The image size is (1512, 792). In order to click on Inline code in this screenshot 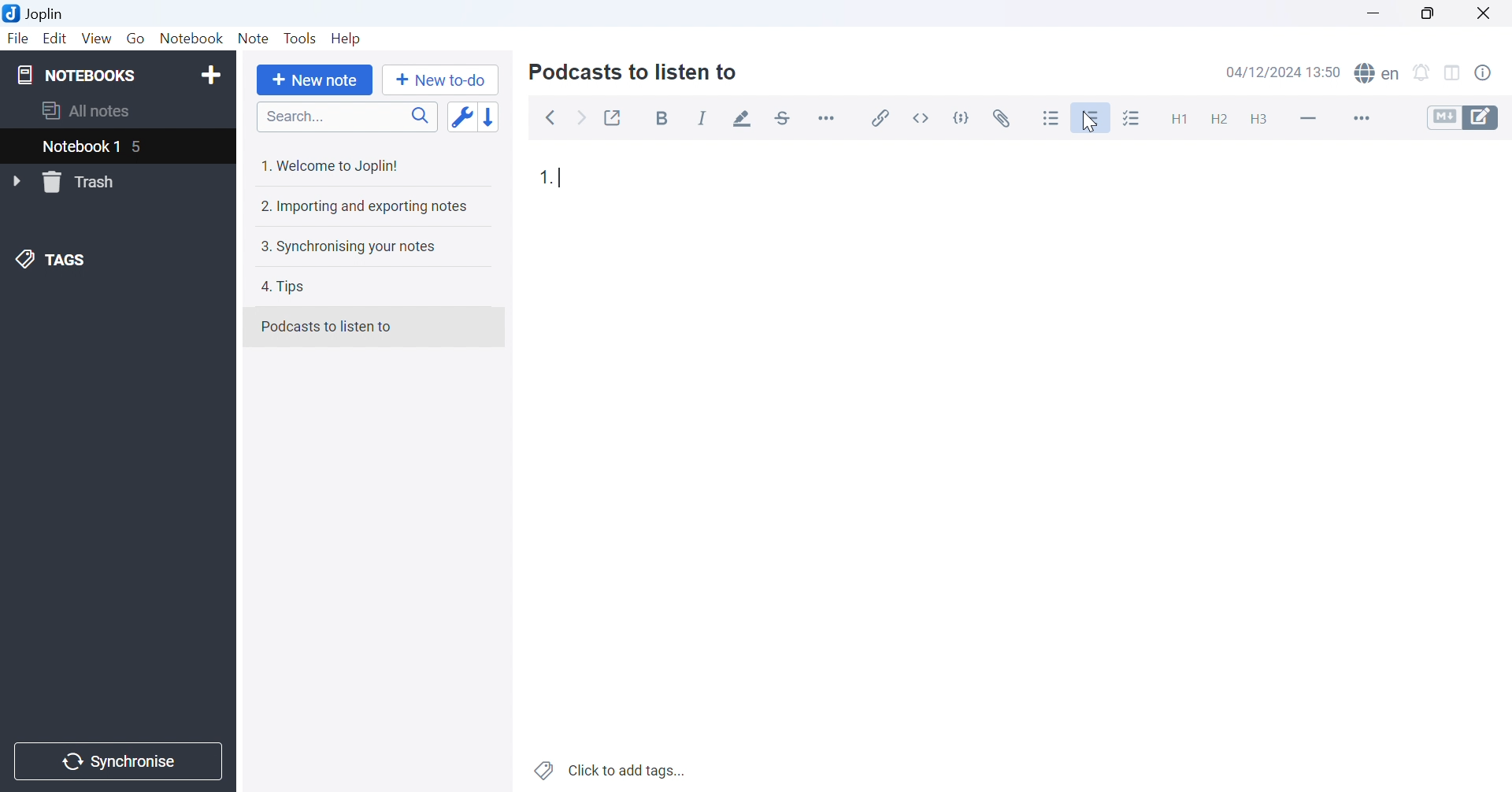, I will do `click(925, 117)`.